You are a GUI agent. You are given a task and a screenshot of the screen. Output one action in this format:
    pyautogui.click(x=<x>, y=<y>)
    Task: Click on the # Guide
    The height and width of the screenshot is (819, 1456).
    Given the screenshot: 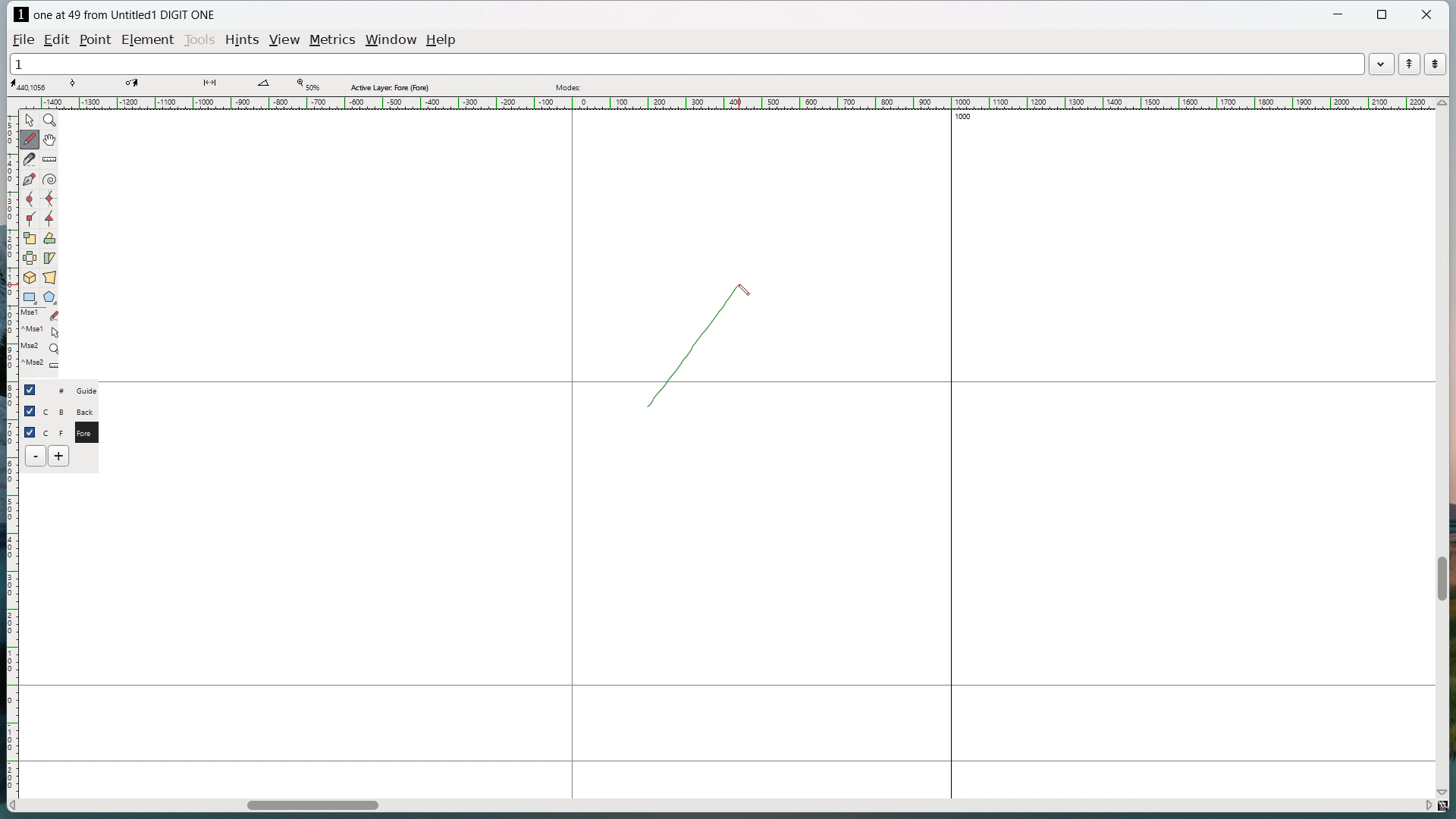 What is the action you would take?
    pyautogui.click(x=72, y=390)
    